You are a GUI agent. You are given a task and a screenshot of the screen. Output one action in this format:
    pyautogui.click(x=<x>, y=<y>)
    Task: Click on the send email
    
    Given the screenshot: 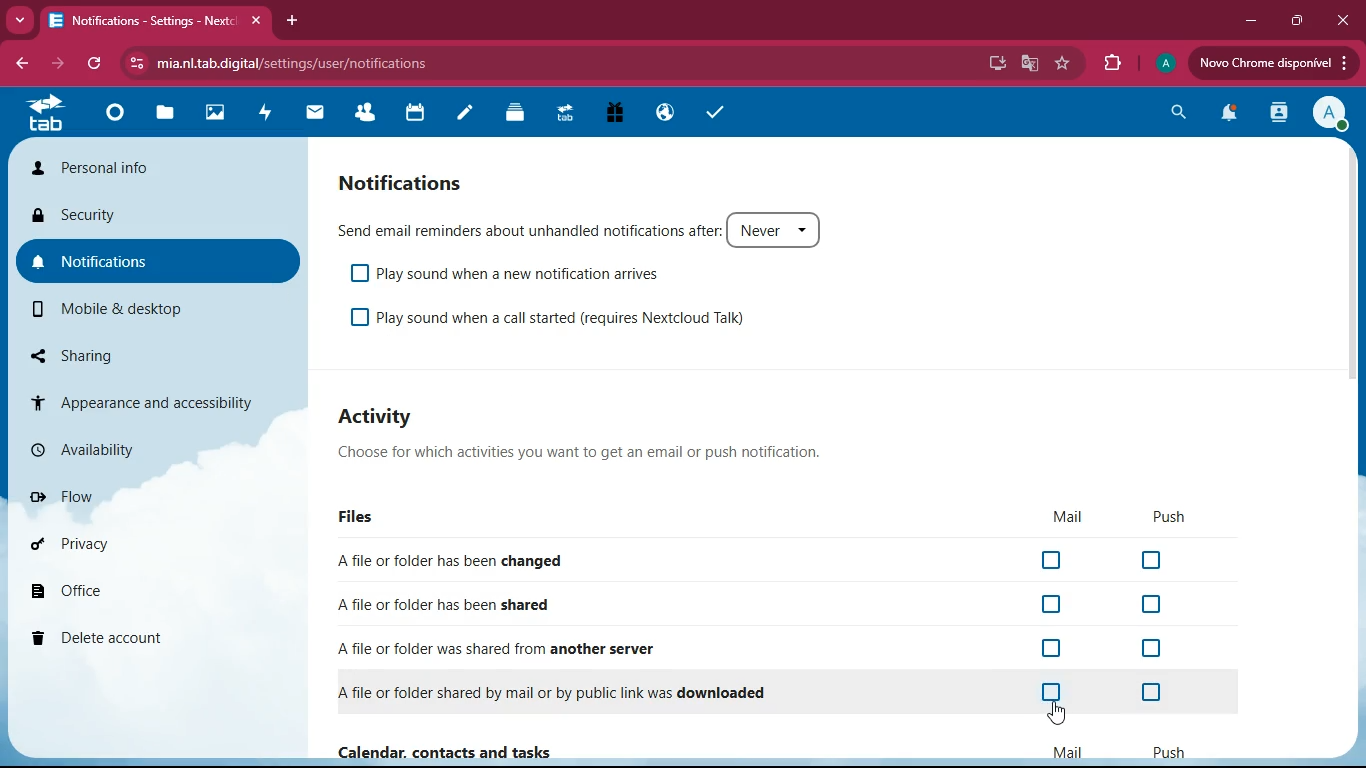 What is the action you would take?
    pyautogui.click(x=593, y=229)
    